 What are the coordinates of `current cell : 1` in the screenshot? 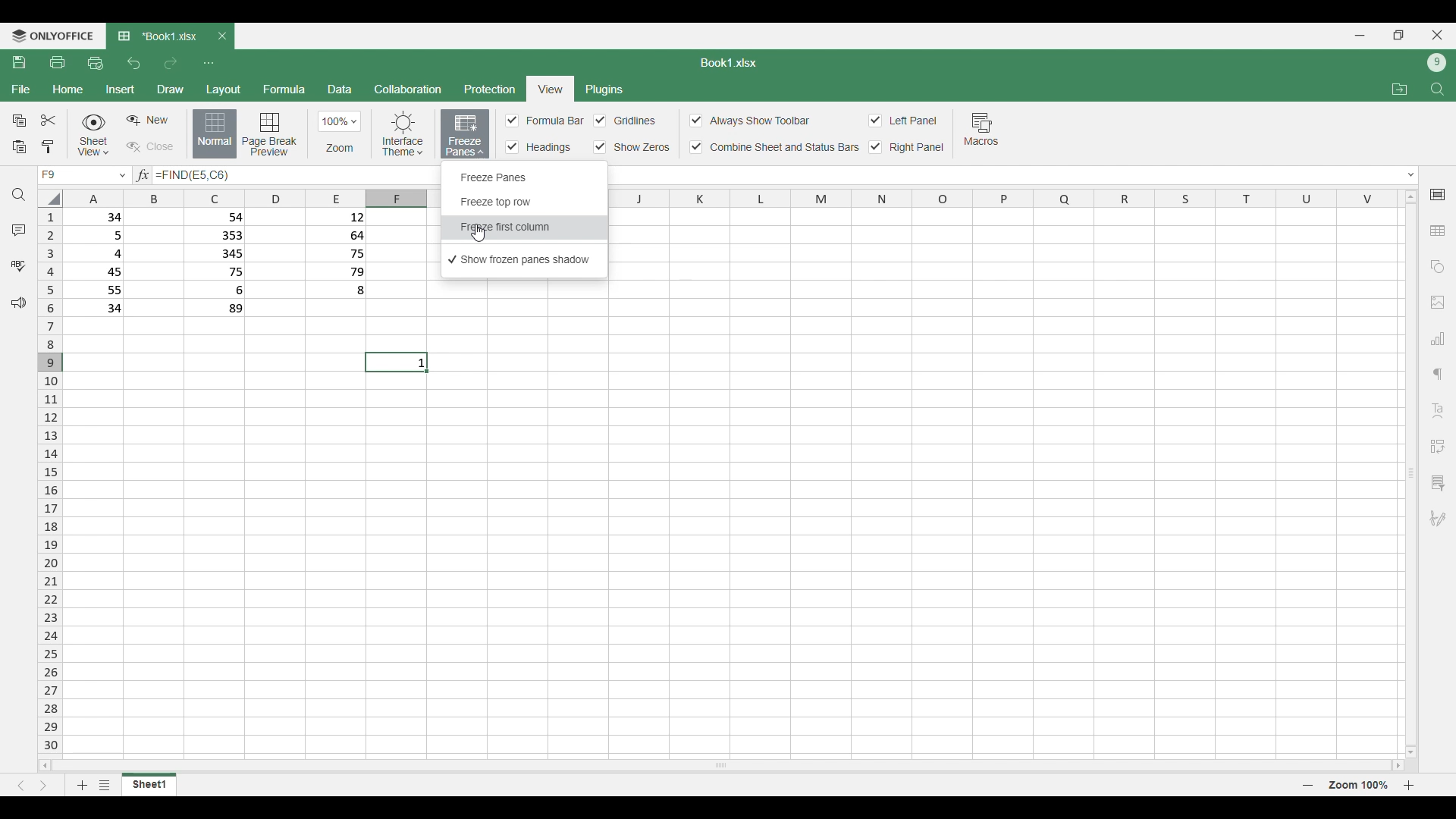 It's located at (397, 361).